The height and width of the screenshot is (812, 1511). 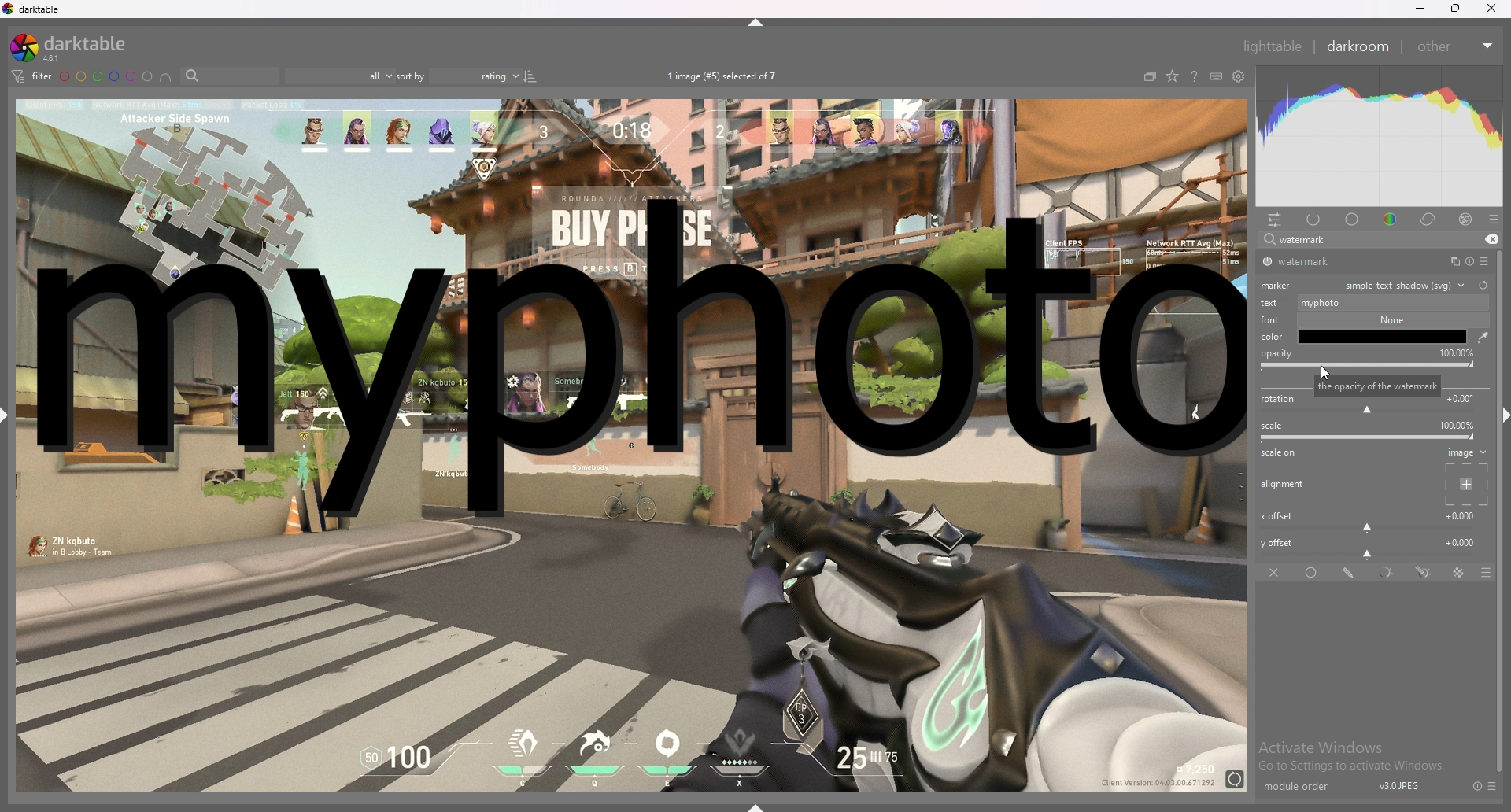 I want to click on alignment, so click(x=1285, y=485).